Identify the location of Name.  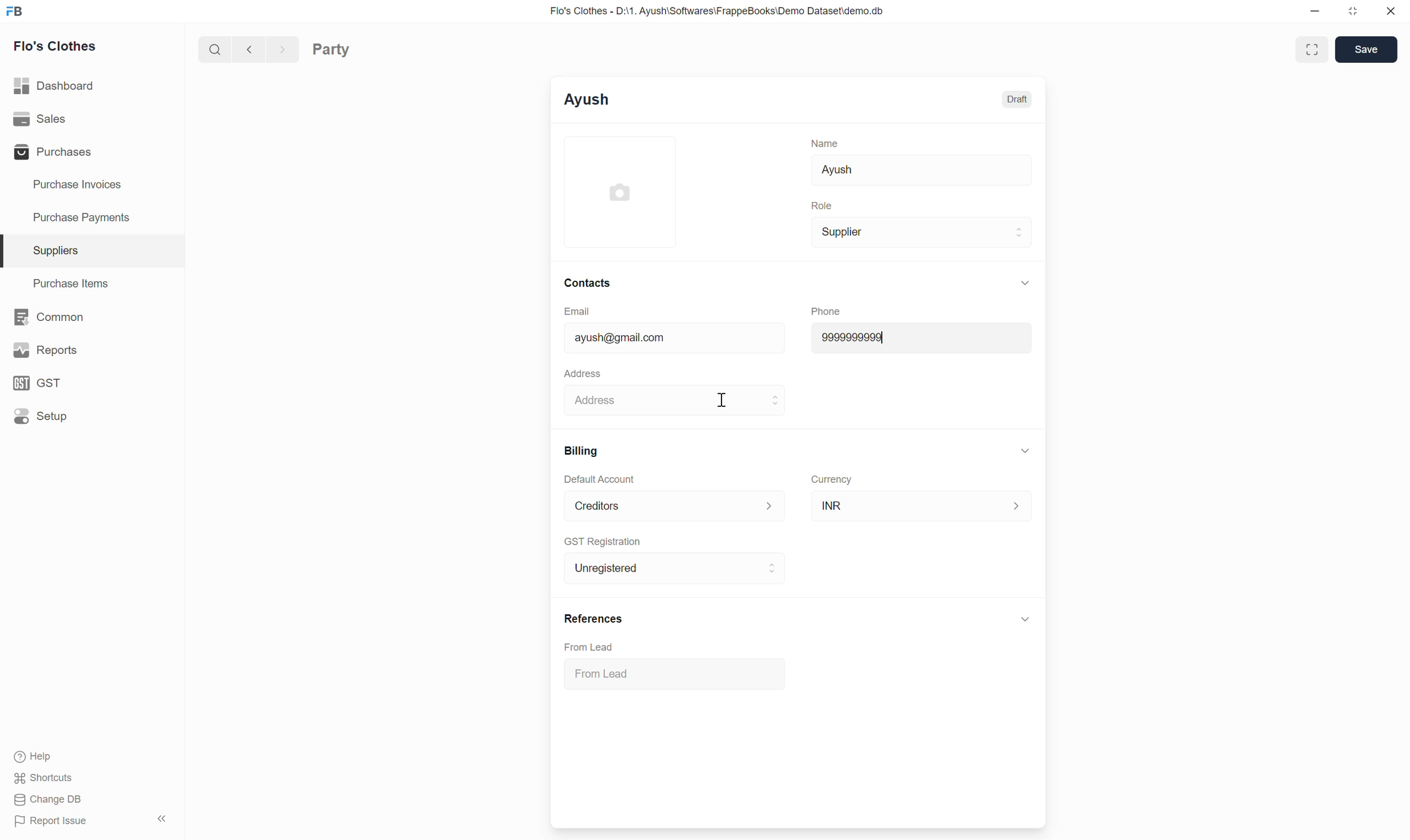
(824, 143).